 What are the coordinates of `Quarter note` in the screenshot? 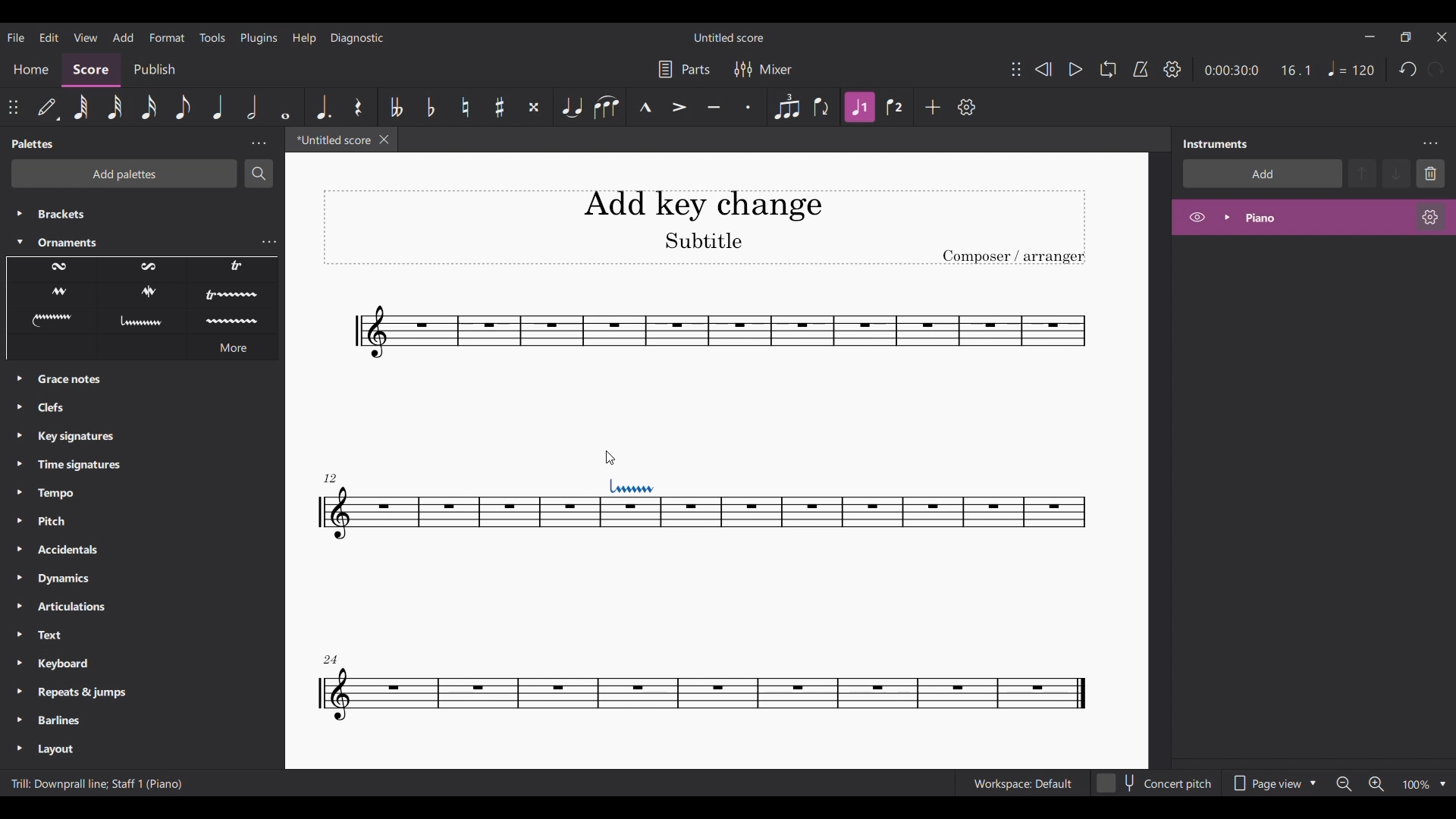 It's located at (1351, 68).